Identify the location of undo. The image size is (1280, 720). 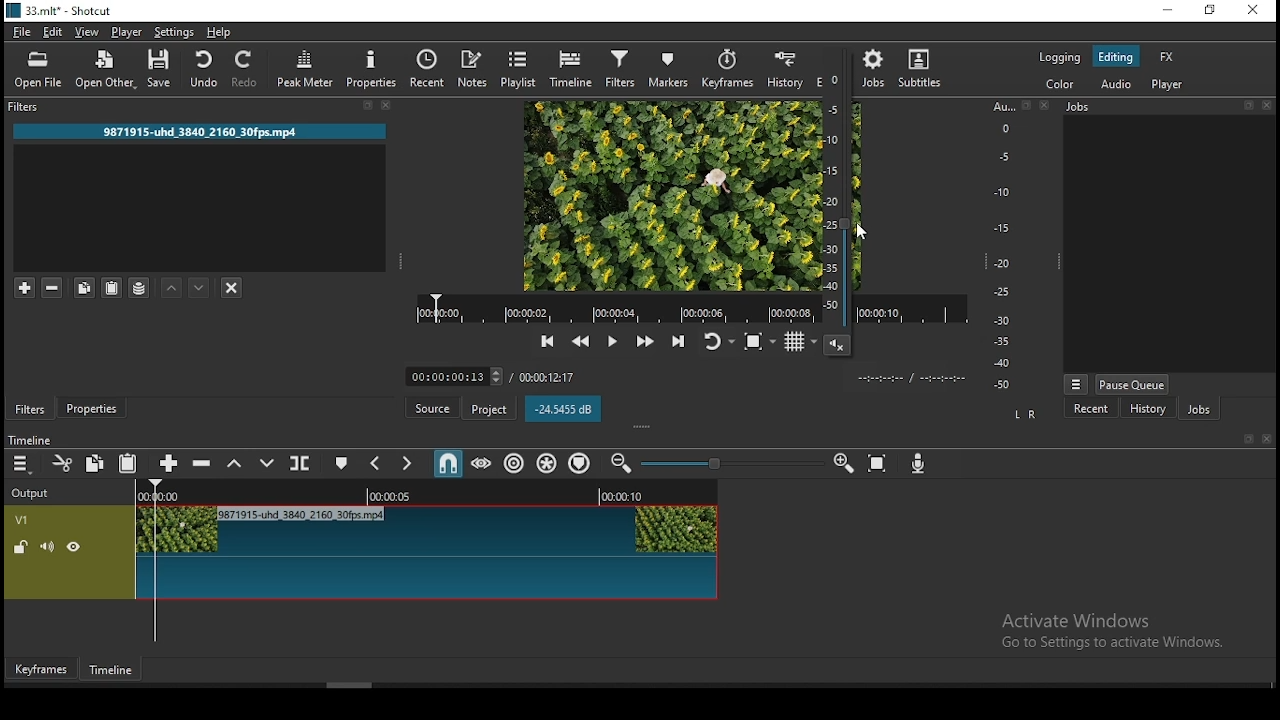
(207, 68).